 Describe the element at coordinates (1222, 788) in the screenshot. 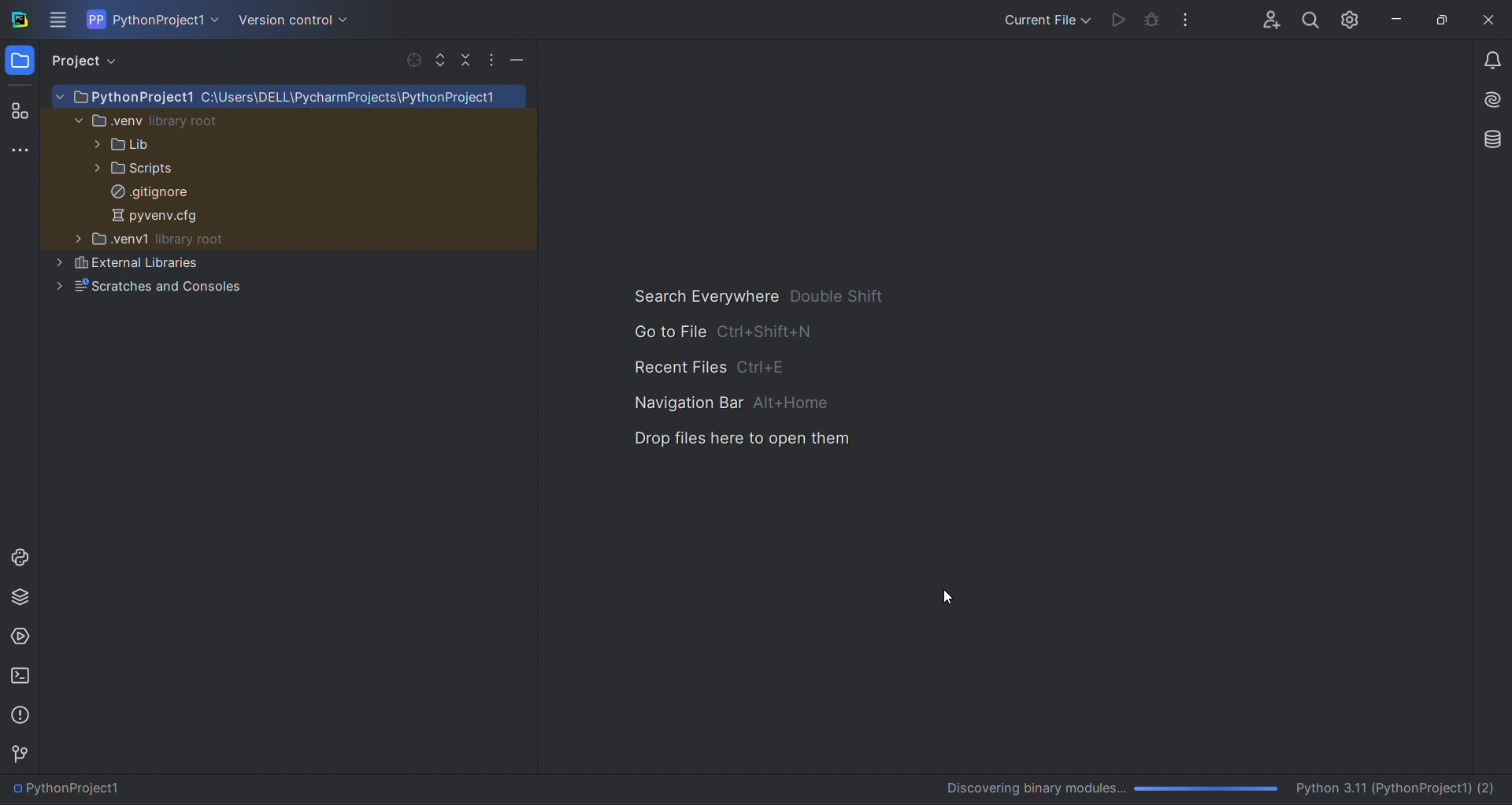

I see `interpreter` at that location.